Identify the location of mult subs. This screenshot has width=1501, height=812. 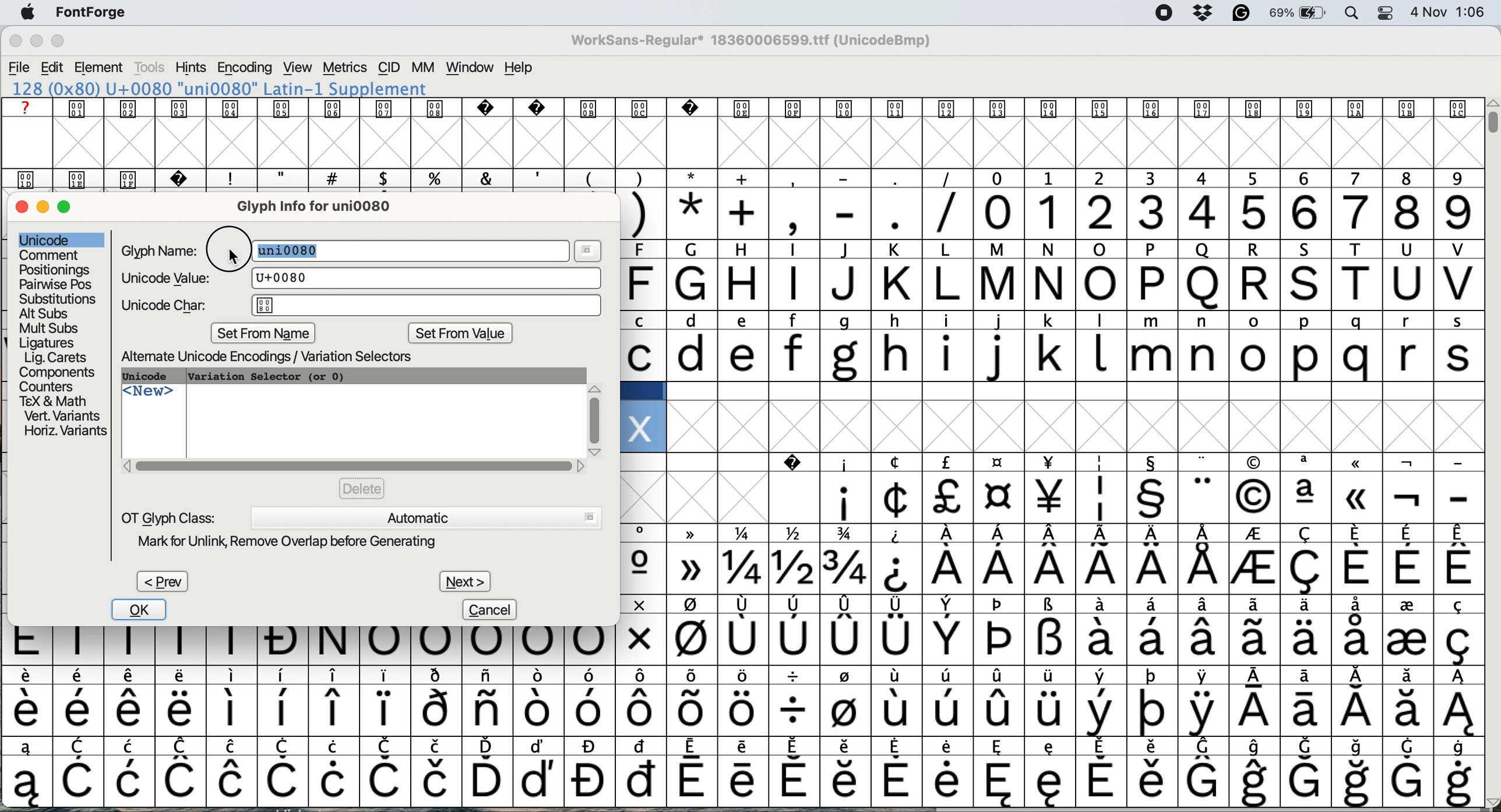
(47, 328).